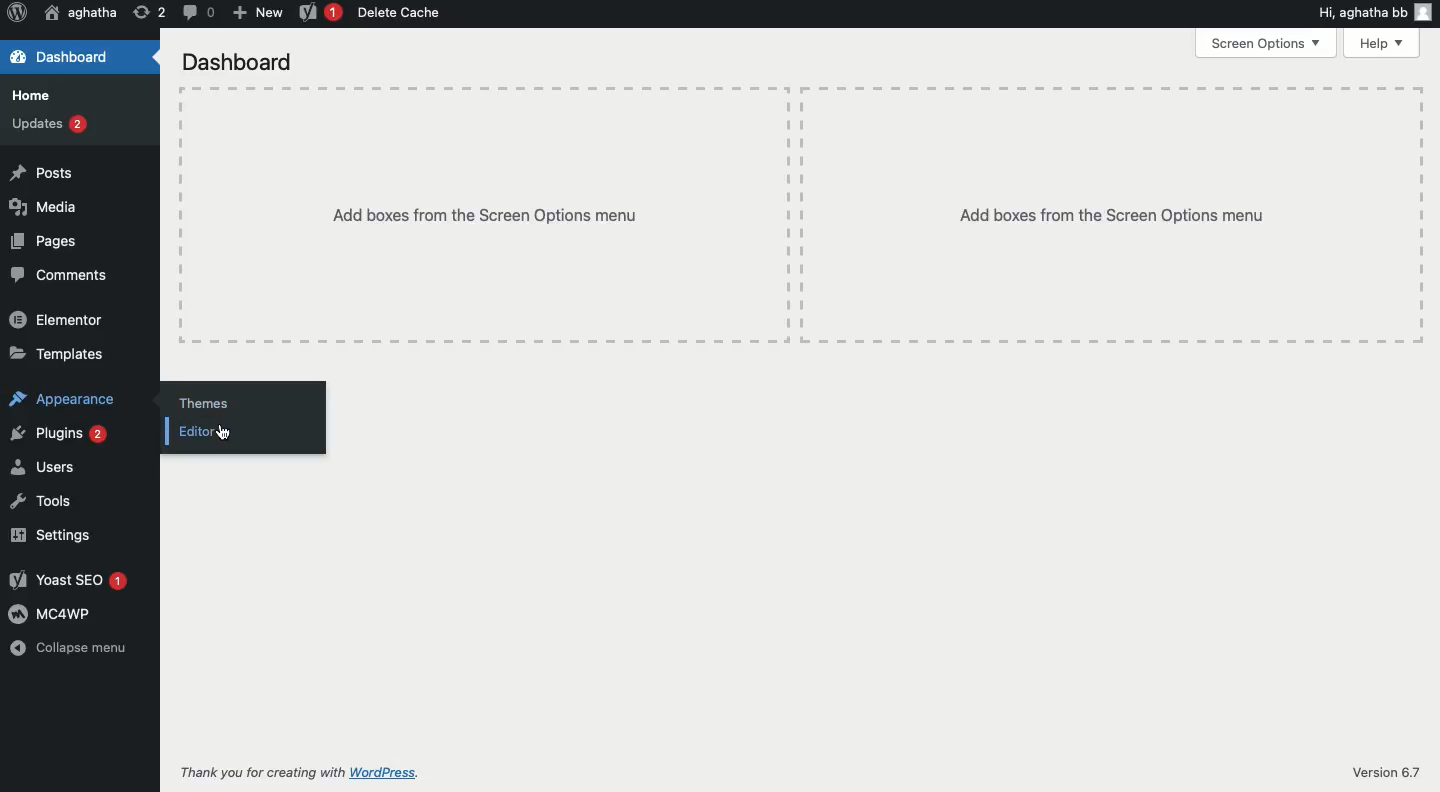 The image size is (1440, 792). What do you see at coordinates (44, 468) in the screenshot?
I see `Users` at bounding box center [44, 468].